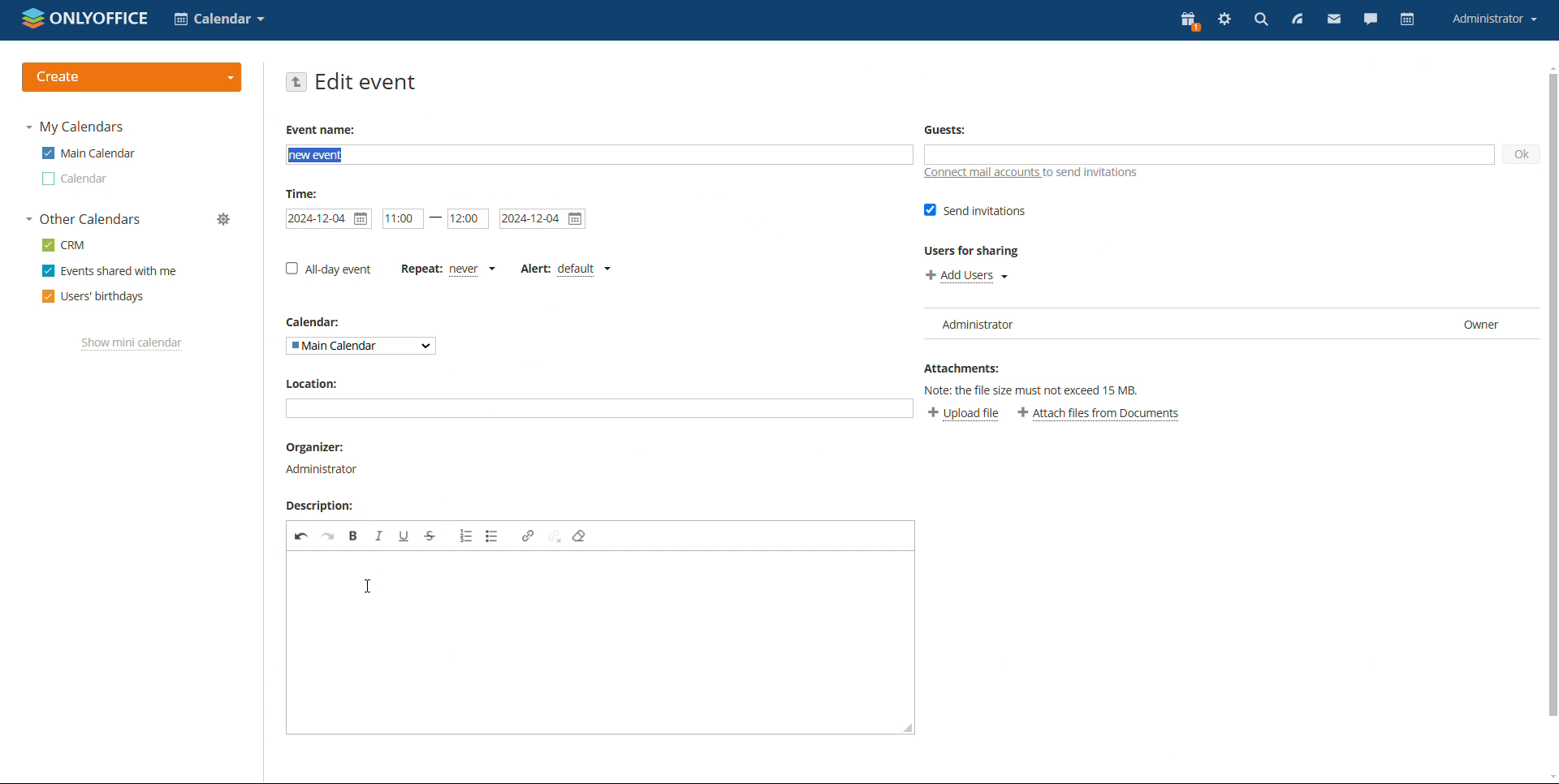 This screenshot has height=784, width=1559. What do you see at coordinates (218, 19) in the screenshot?
I see `select application` at bounding box center [218, 19].